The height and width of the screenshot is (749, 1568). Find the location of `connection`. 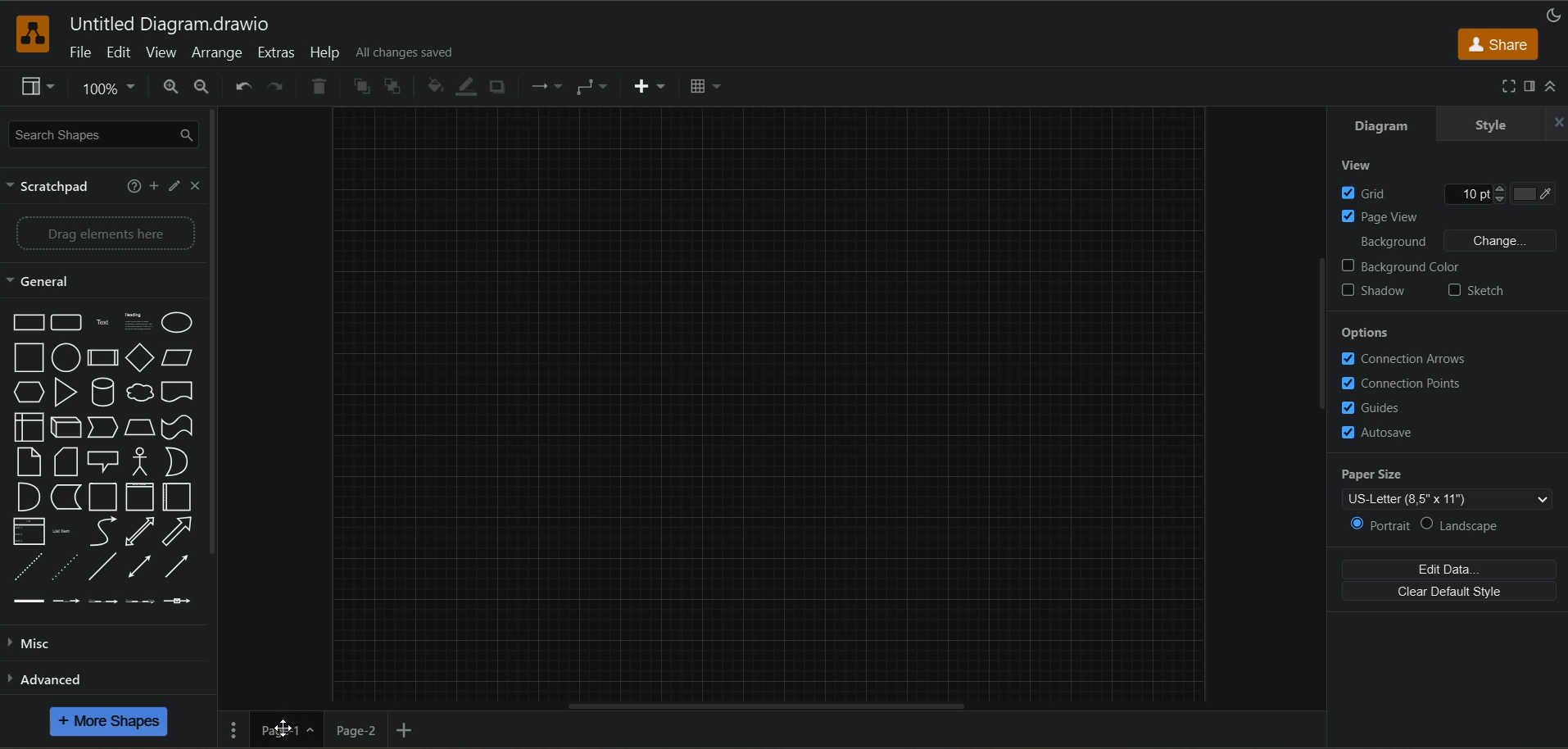

connection is located at coordinates (544, 86).